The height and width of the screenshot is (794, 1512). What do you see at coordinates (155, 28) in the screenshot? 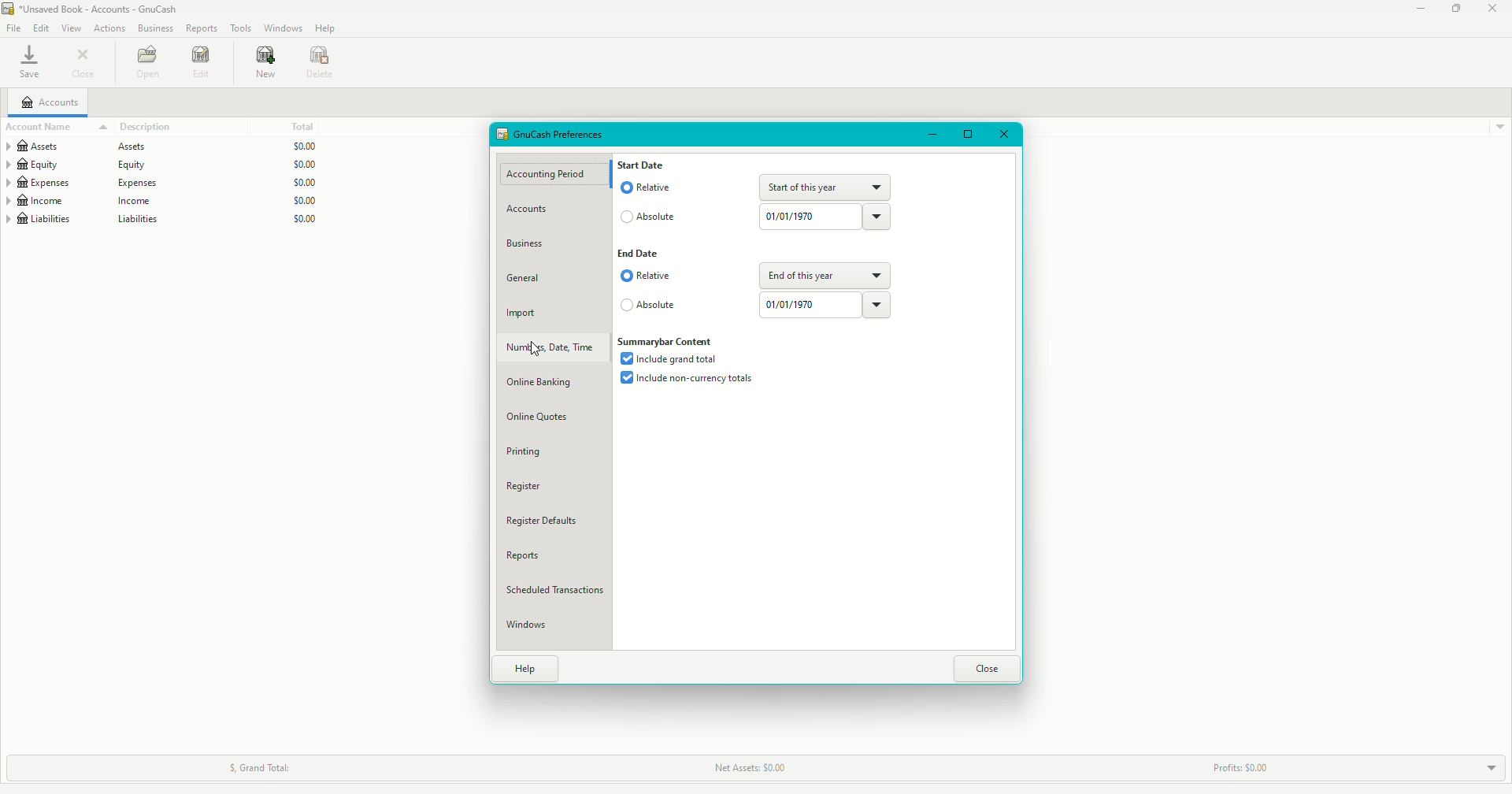
I see `Business` at bounding box center [155, 28].